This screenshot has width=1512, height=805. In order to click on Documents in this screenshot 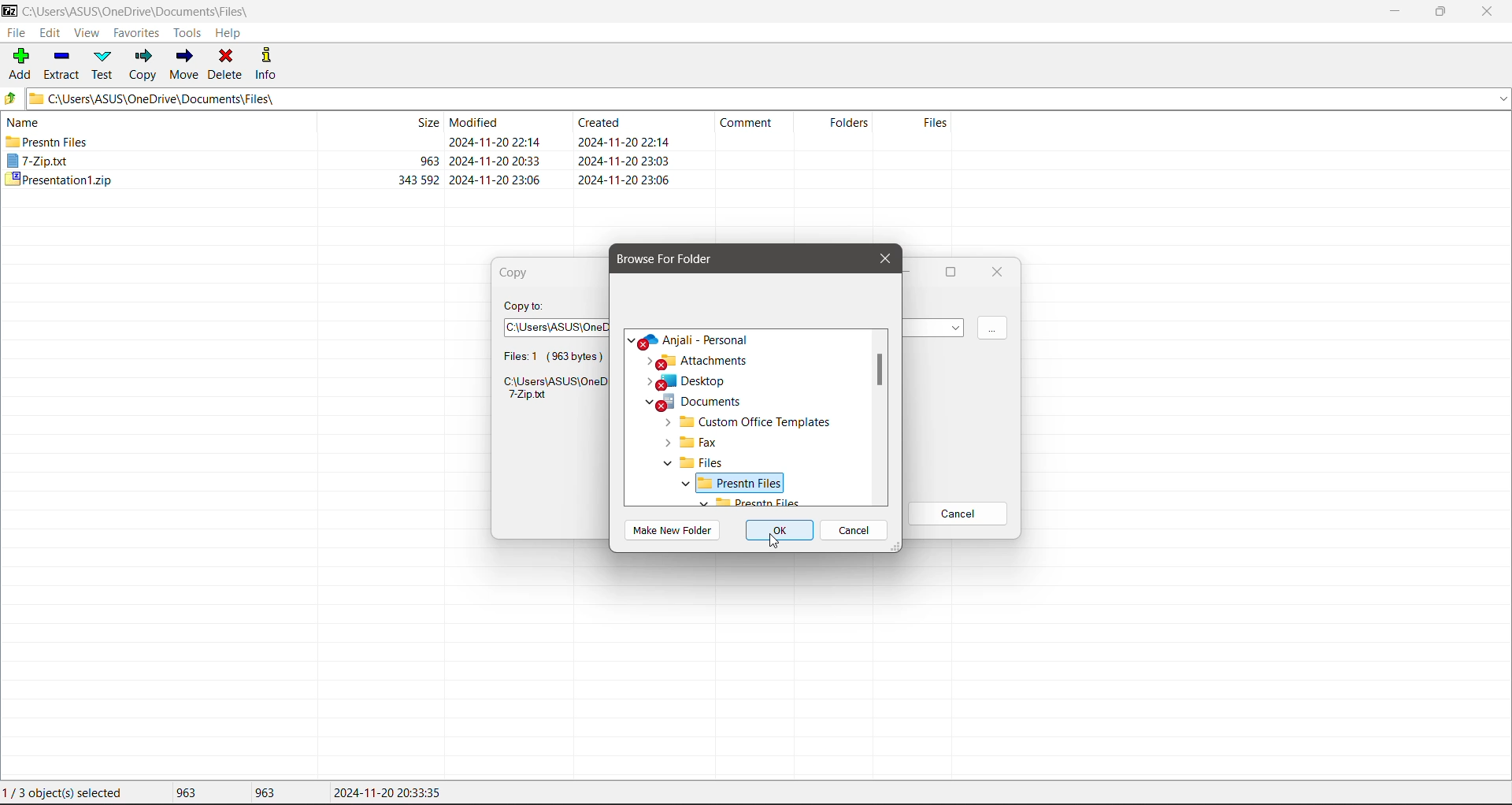, I will do `click(701, 402)`.